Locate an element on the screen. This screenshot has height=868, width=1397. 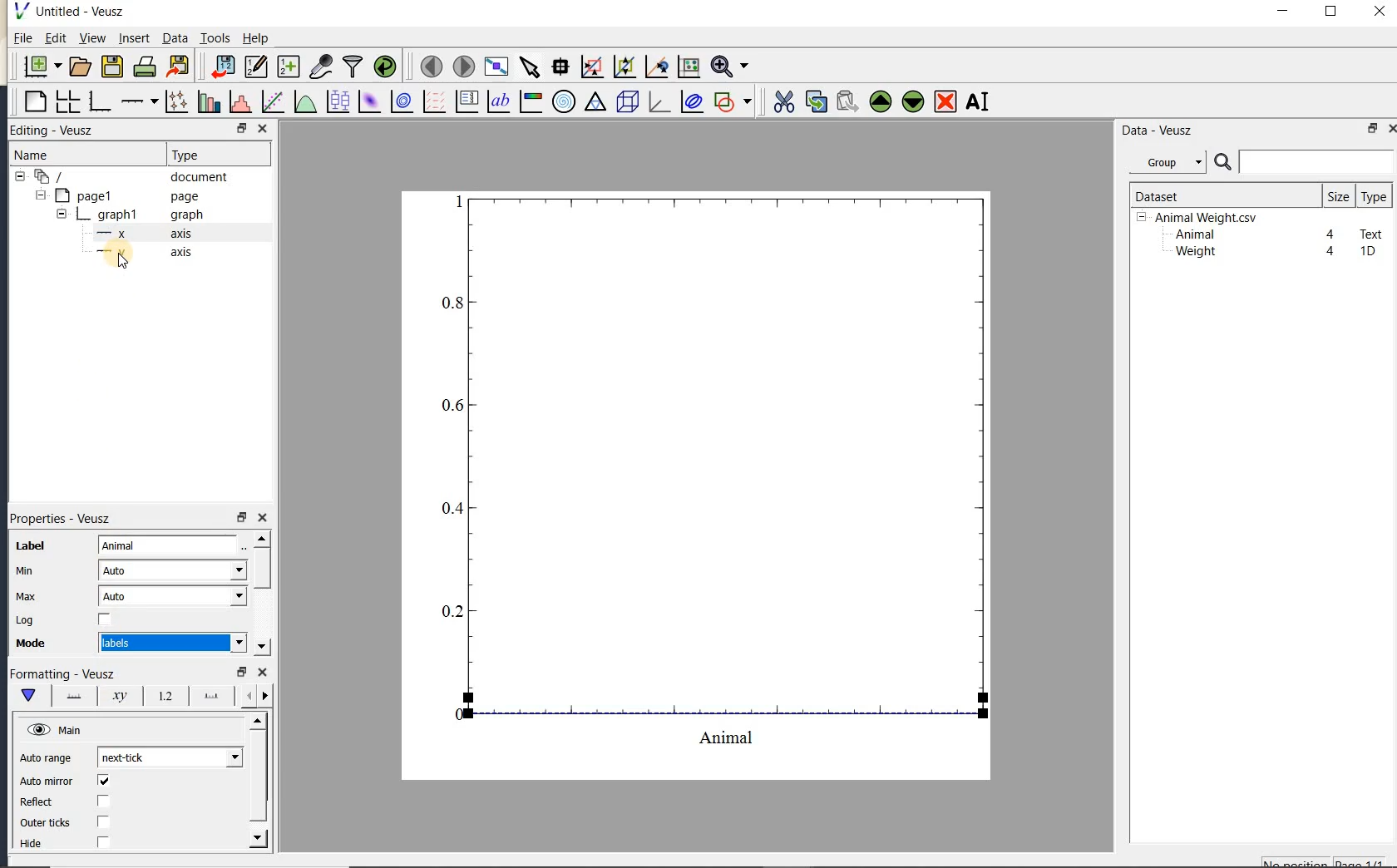
view plot full screen is located at coordinates (496, 67).